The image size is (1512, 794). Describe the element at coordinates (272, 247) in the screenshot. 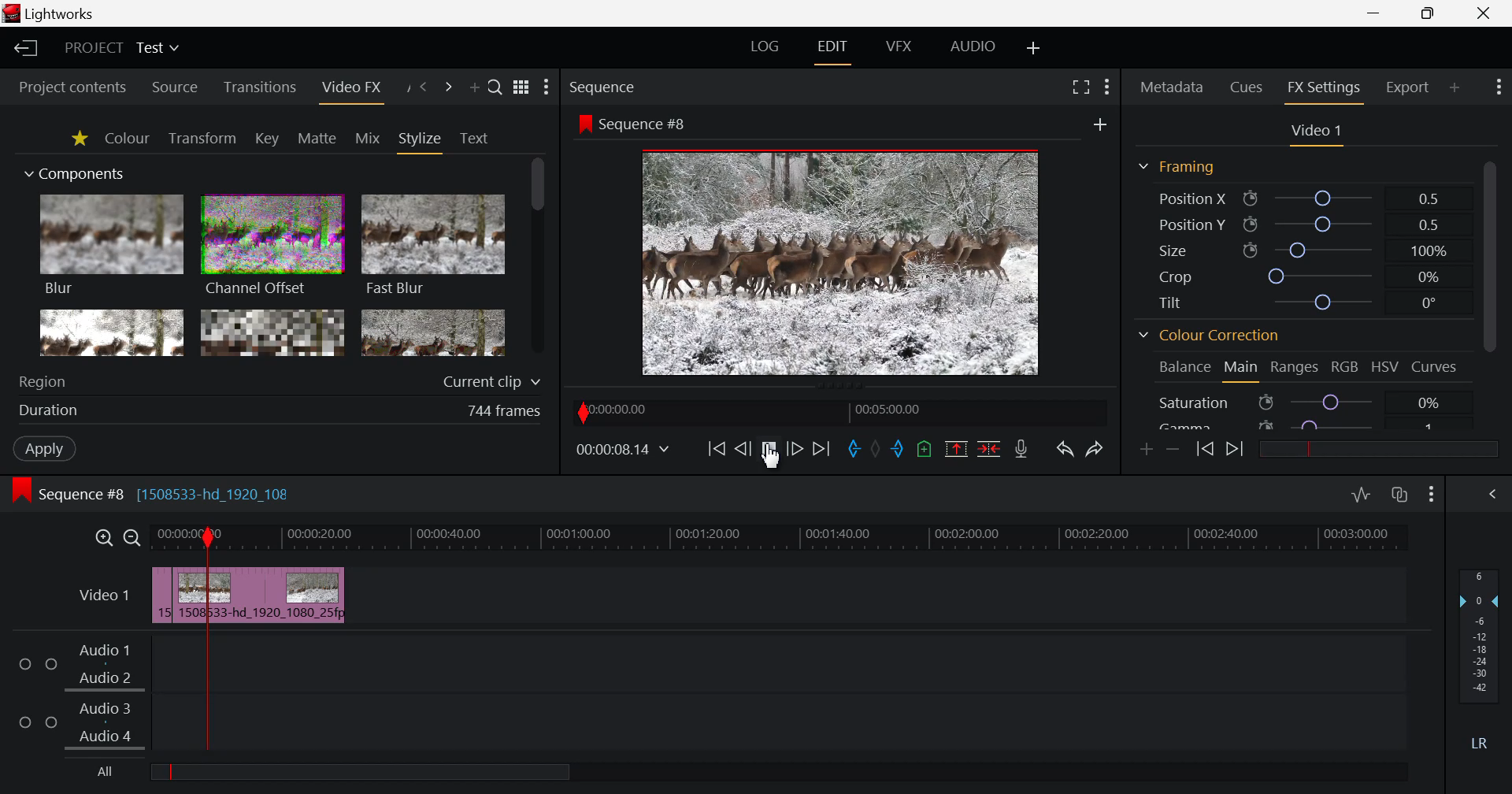

I see `Channel Offset` at that location.